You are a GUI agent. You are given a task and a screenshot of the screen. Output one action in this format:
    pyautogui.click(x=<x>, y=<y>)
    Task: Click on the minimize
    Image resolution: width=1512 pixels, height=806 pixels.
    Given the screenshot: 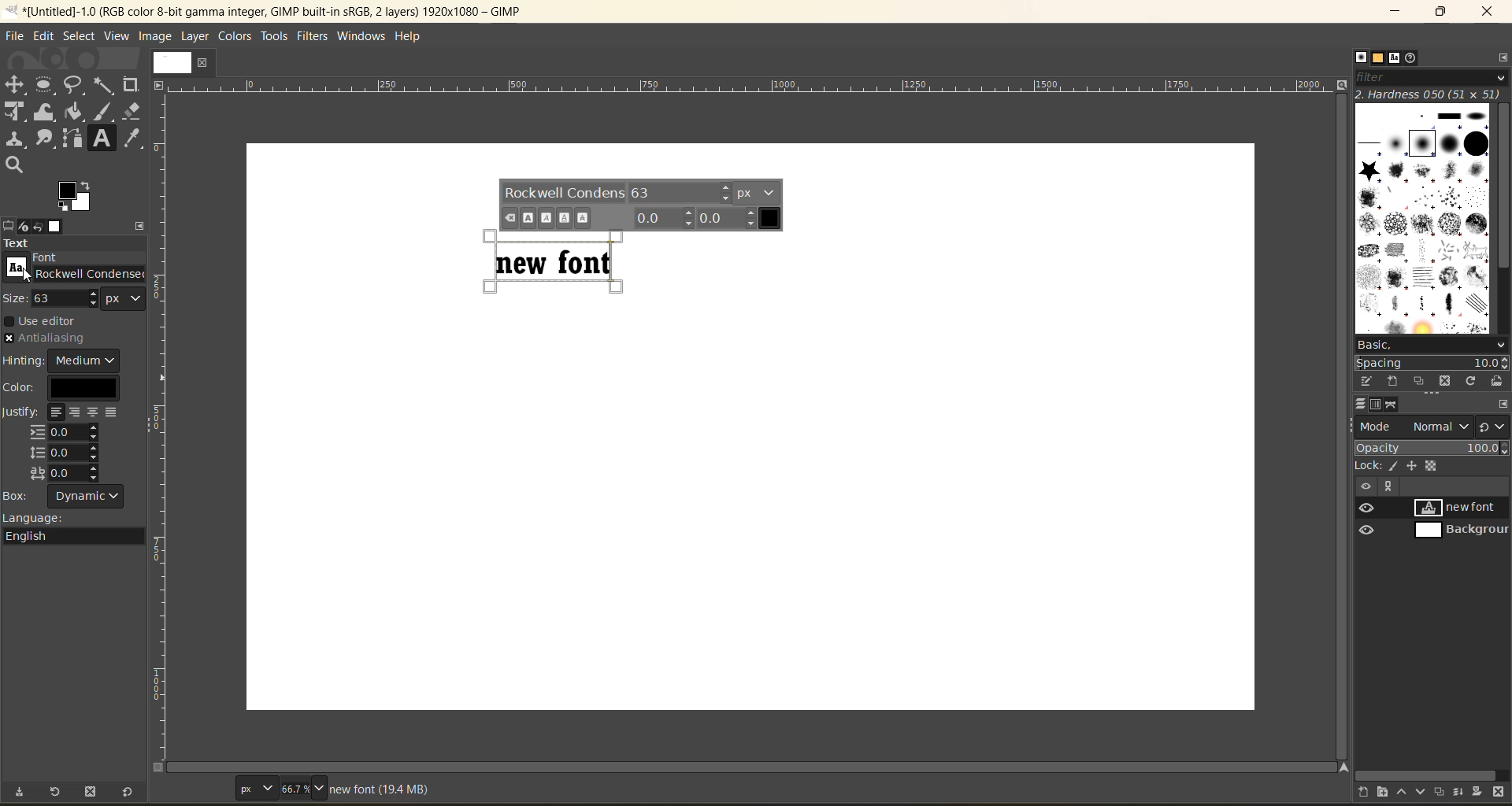 What is the action you would take?
    pyautogui.click(x=1389, y=12)
    